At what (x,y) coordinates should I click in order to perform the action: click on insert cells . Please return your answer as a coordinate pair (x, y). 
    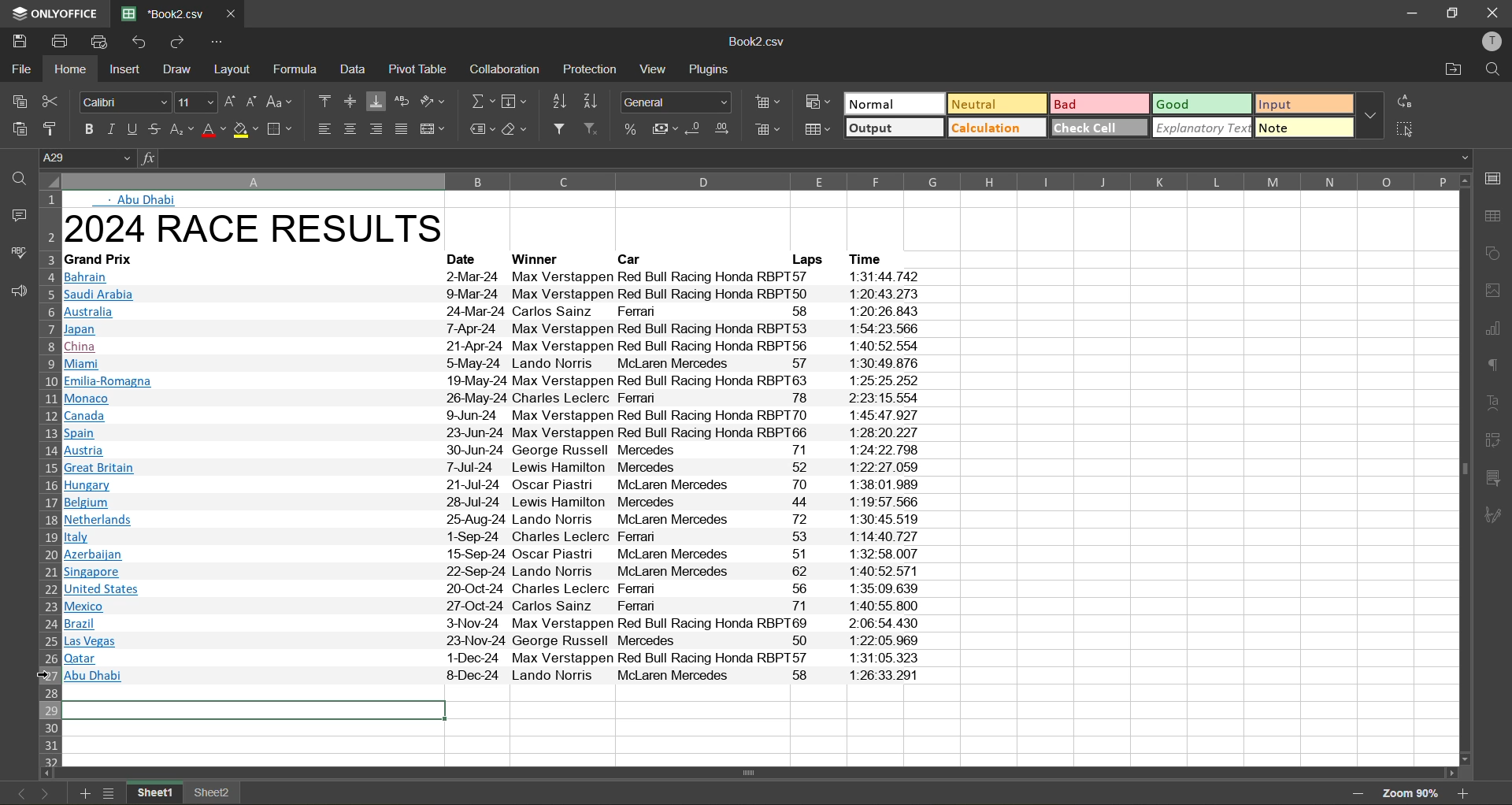
    Looking at the image, I should click on (769, 102).